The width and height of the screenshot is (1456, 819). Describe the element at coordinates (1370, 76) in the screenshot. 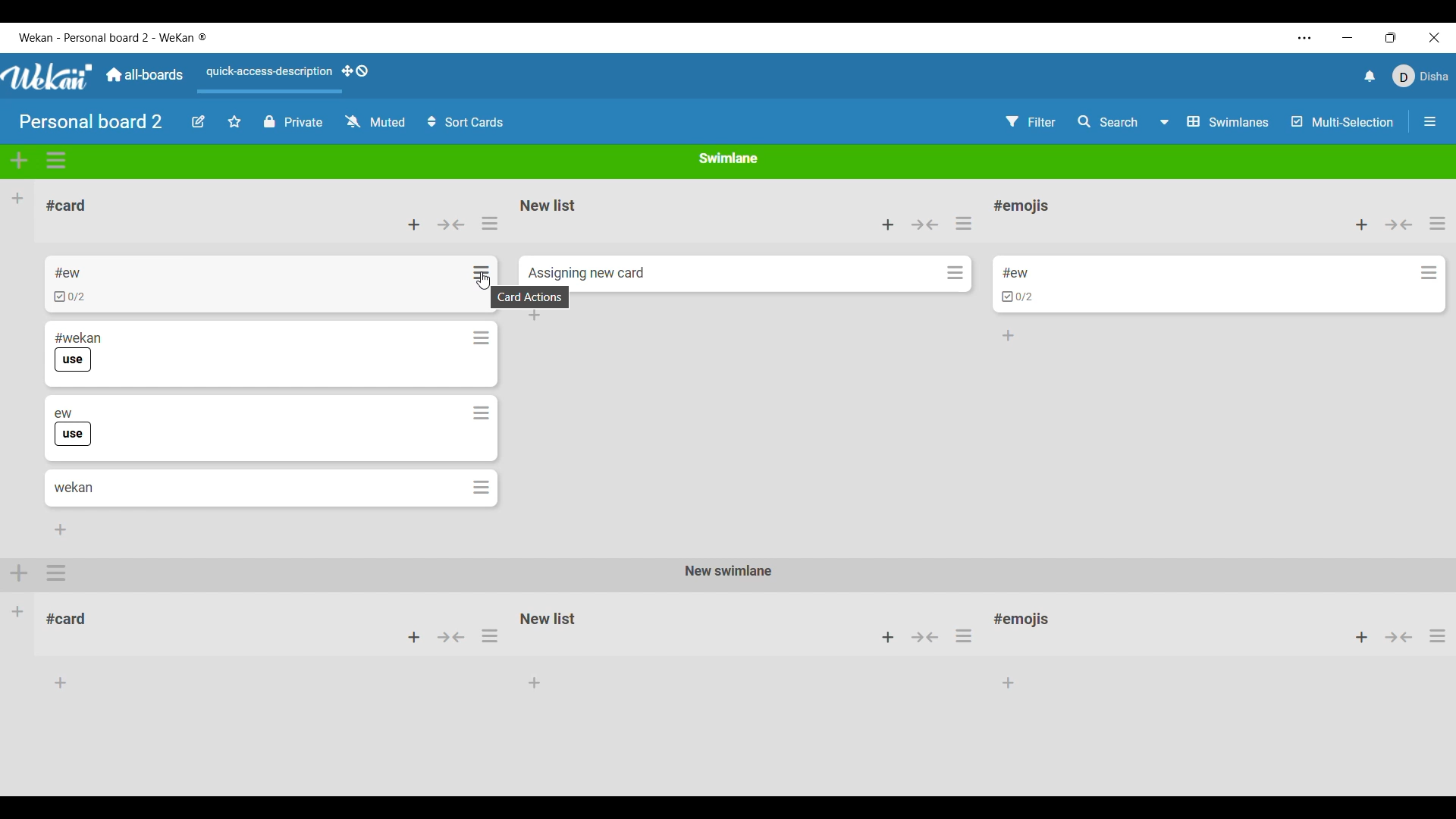

I see `Notifications` at that location.